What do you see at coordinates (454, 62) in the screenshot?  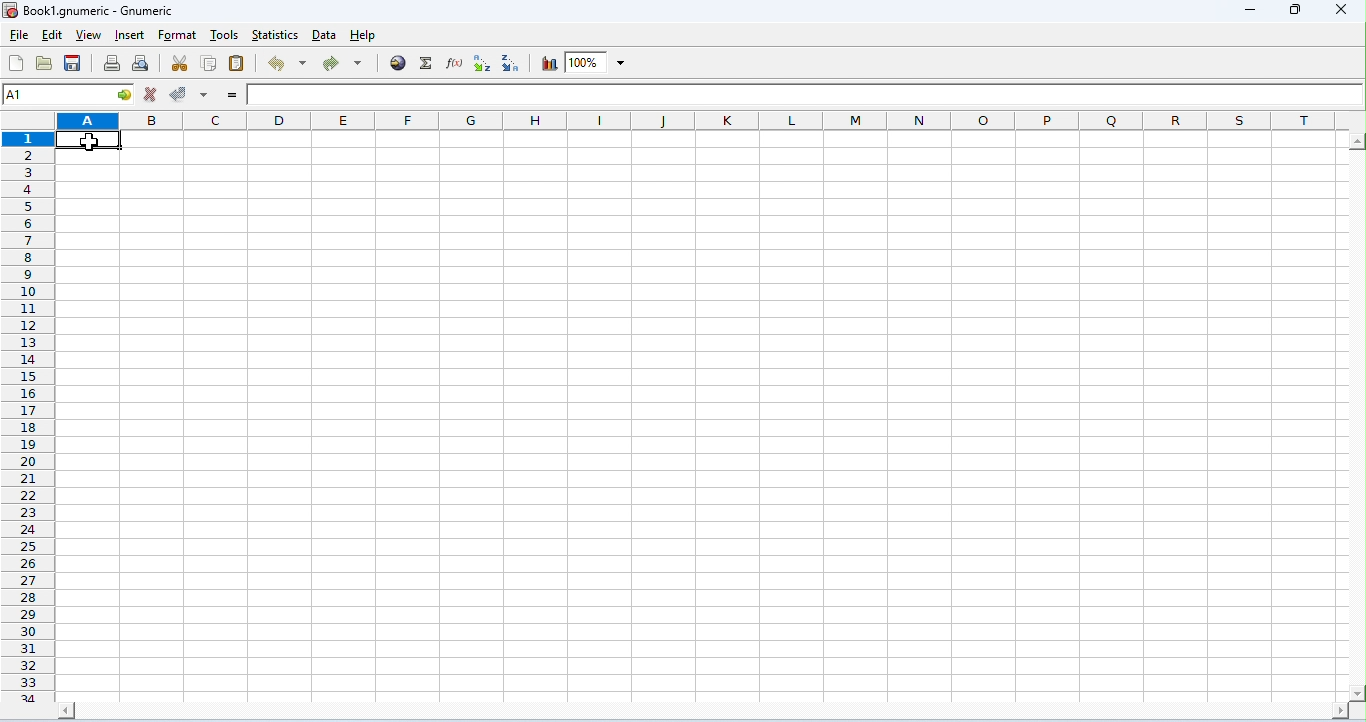 I see `function wizard` at bounding box center [454, 62].